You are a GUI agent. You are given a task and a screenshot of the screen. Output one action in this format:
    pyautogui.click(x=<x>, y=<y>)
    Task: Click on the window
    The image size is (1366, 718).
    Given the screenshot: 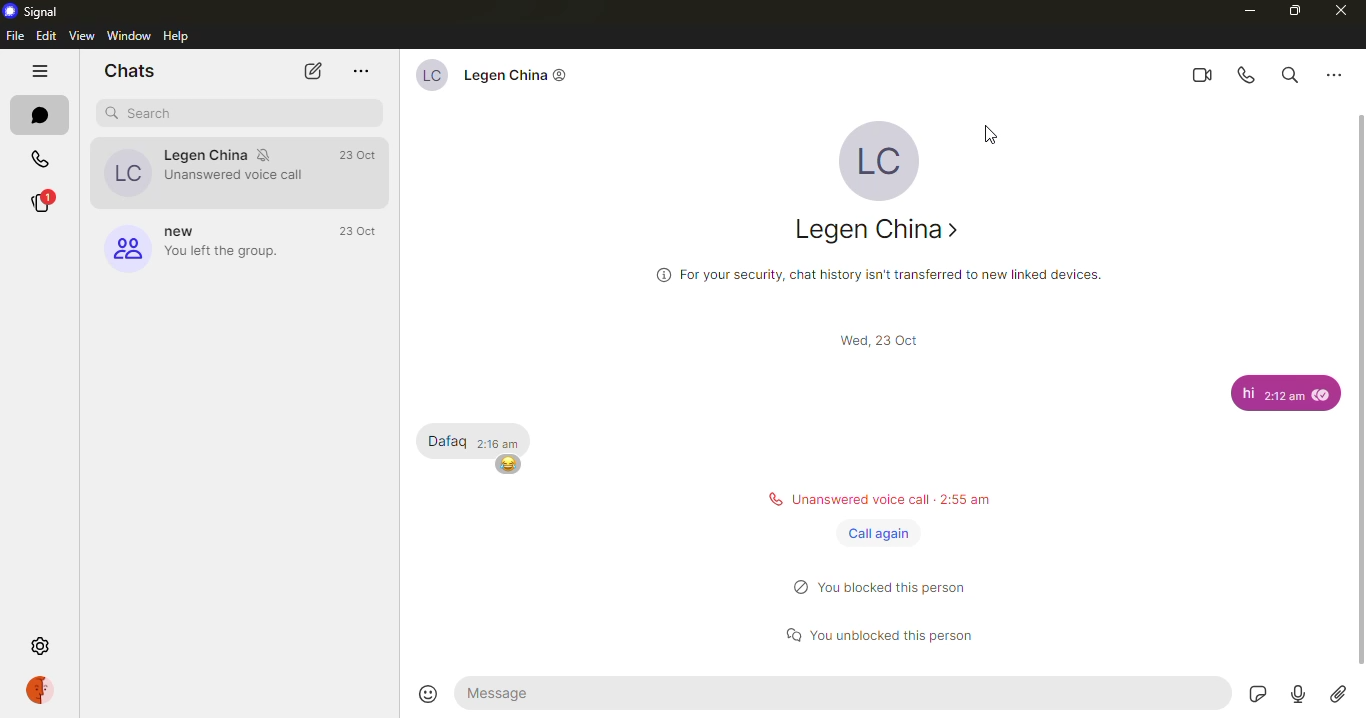 What is the action you would take?
    pyautogui.click(x=128, y=35)
    